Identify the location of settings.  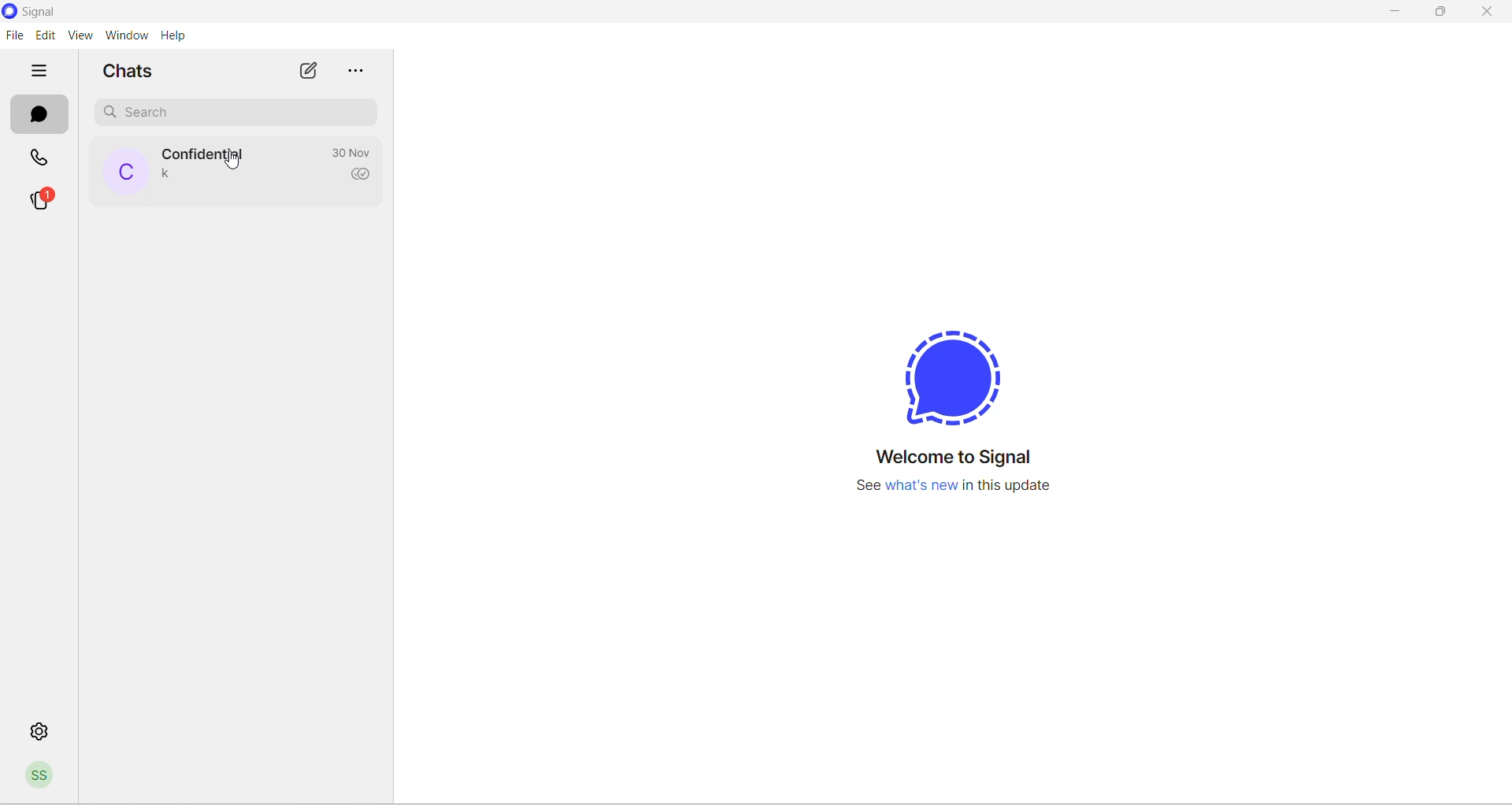
(43, 736).